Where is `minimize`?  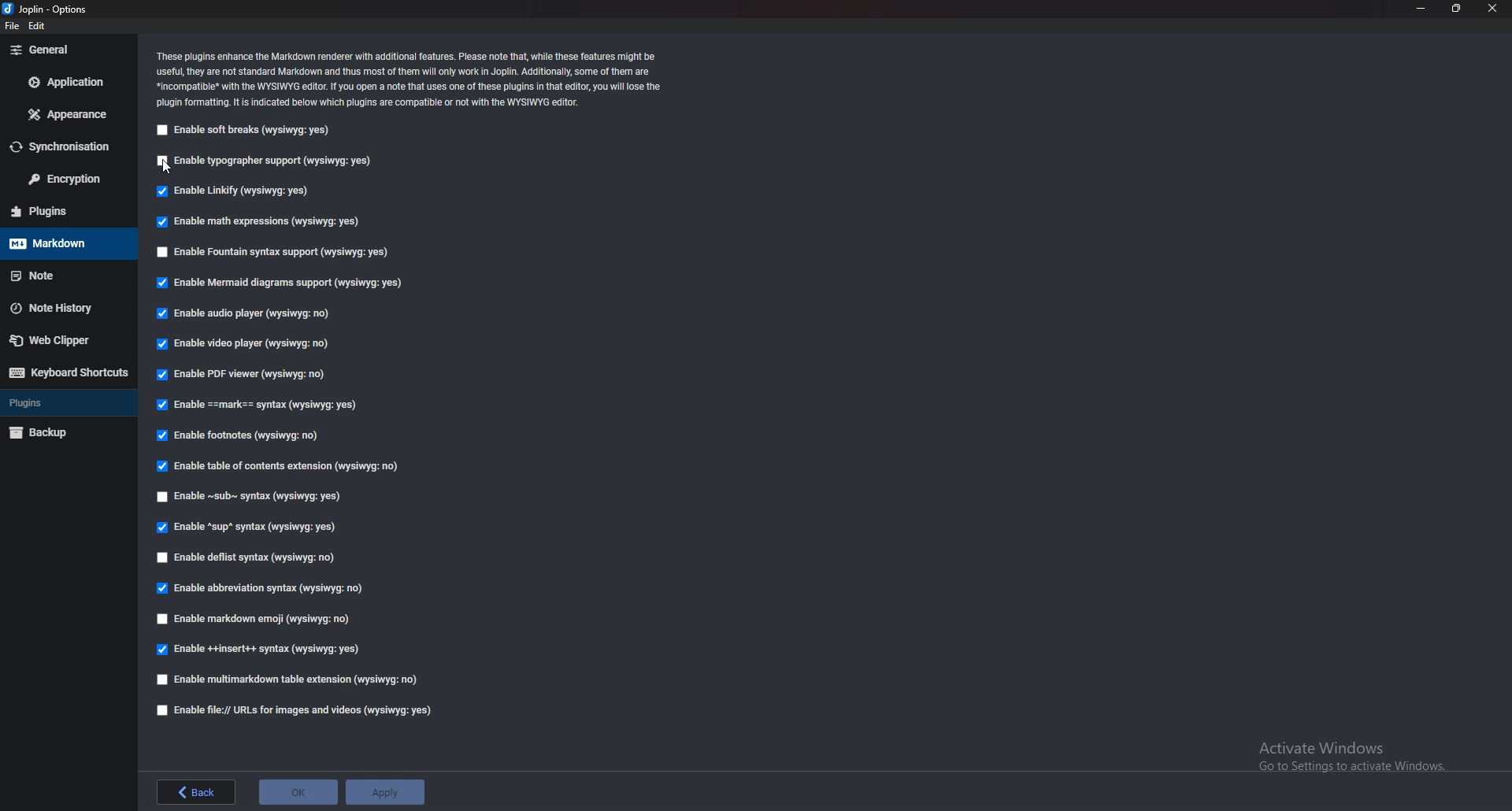
minimize is located at coordinates (1421, 9).